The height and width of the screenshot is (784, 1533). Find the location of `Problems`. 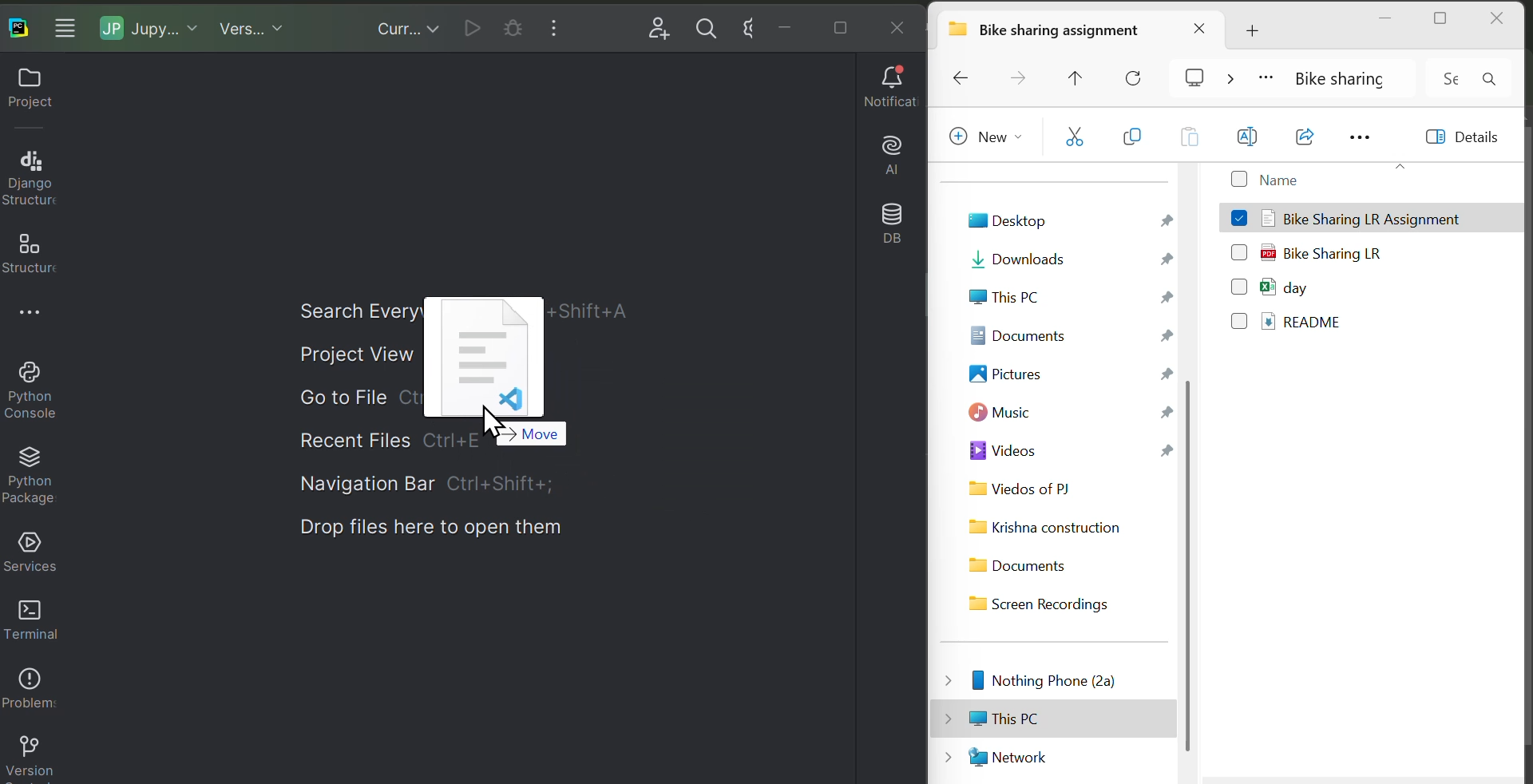

Problems is located at coordinates (30, 695).